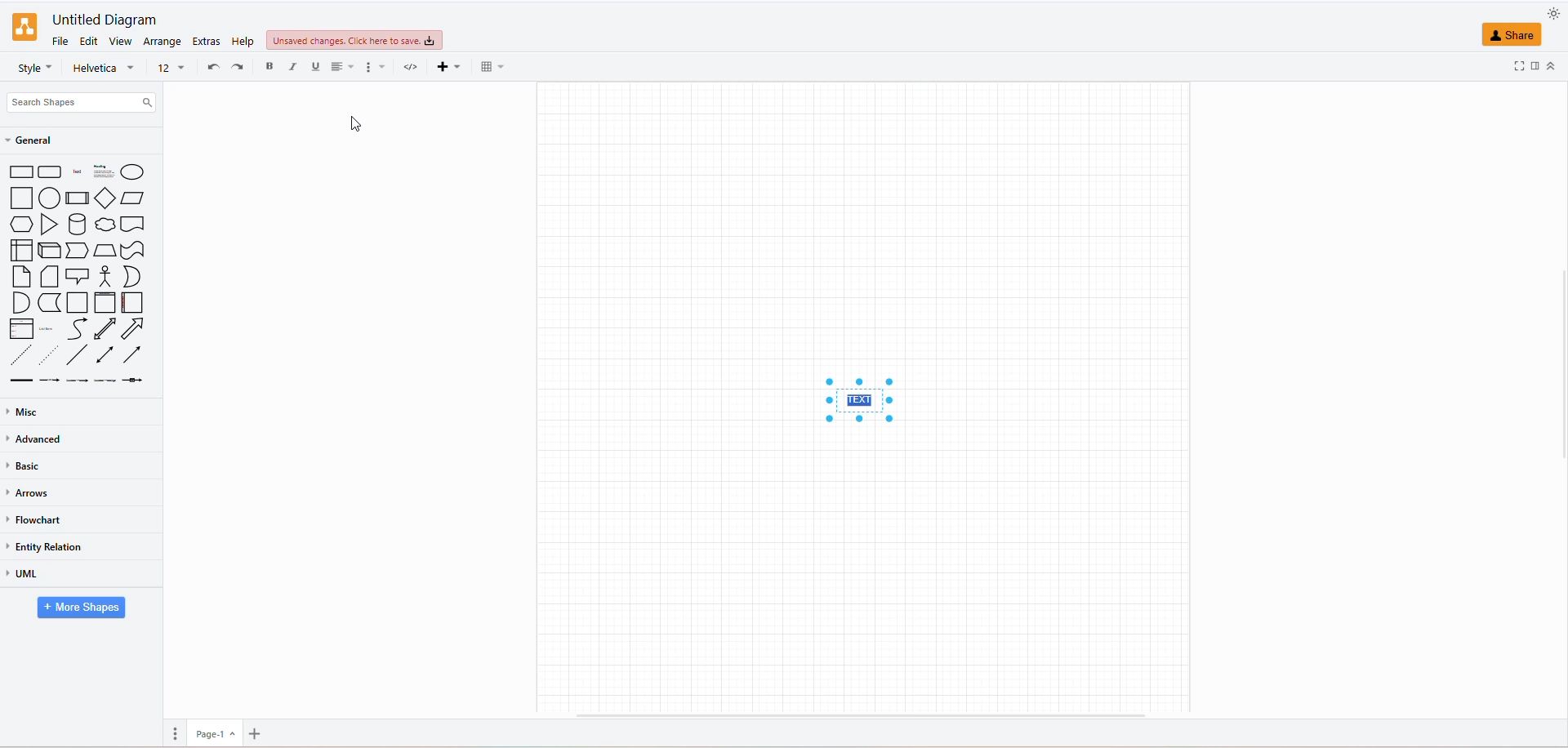 This screenshot has width=1568, height=748. What do you see at coordinates (343, 69) in the screenshot?
I see `align` at bounding box center [343, 69].